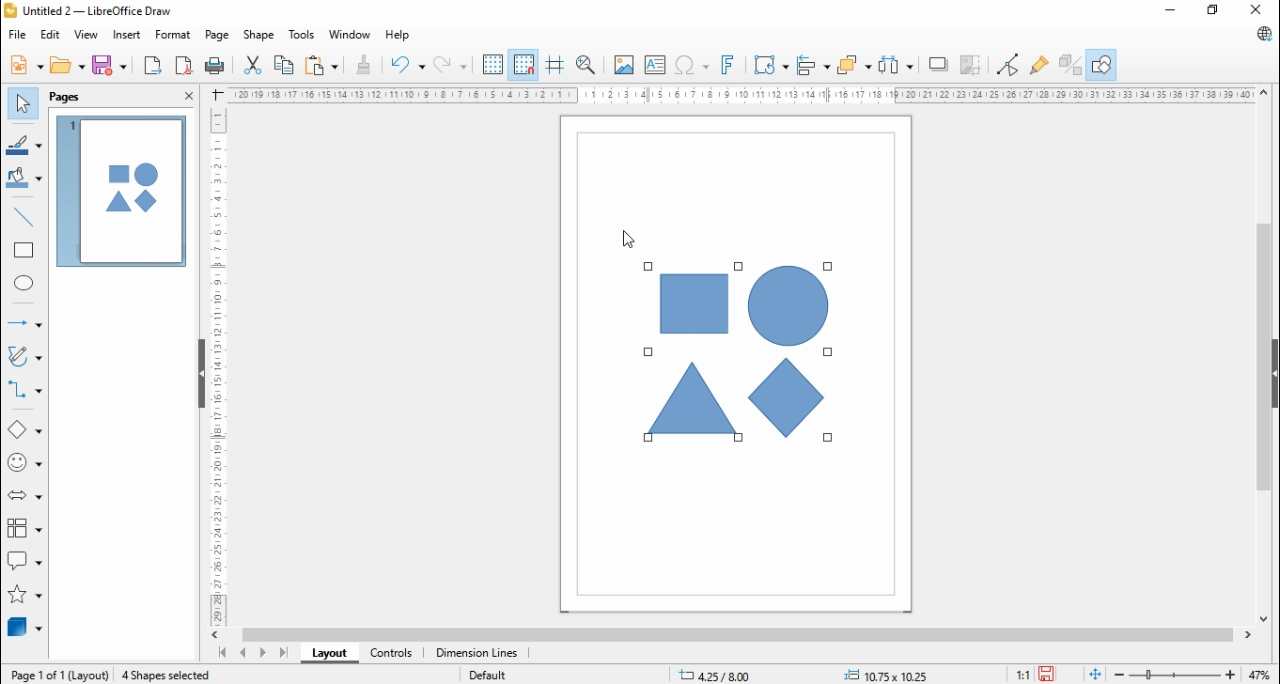 The height and width of the screenshot is (684, 1280). I want to click on next page, so click(262, 653).